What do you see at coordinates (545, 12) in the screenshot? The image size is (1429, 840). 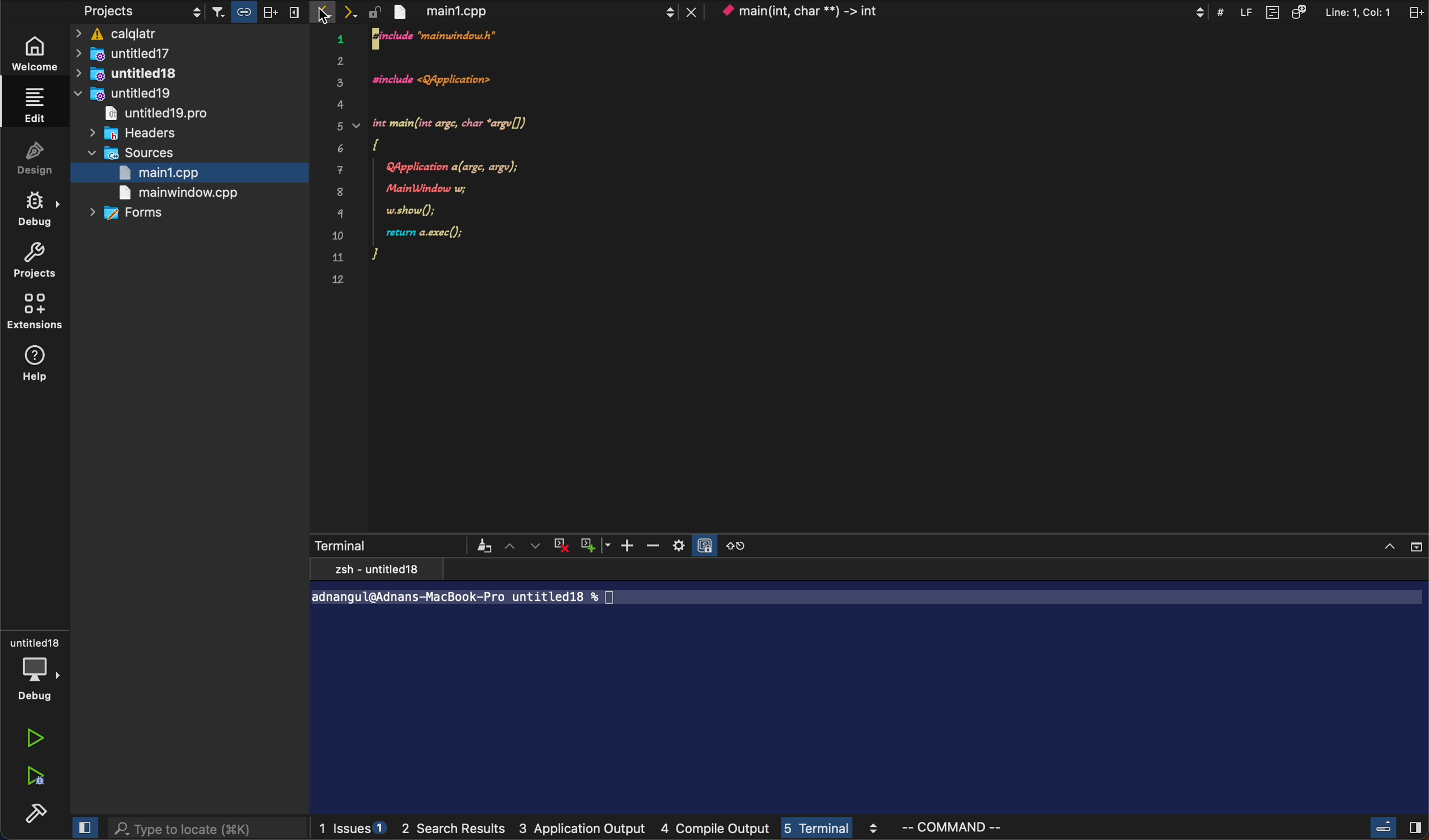 I see `file change` at bounding box center [545, 12].